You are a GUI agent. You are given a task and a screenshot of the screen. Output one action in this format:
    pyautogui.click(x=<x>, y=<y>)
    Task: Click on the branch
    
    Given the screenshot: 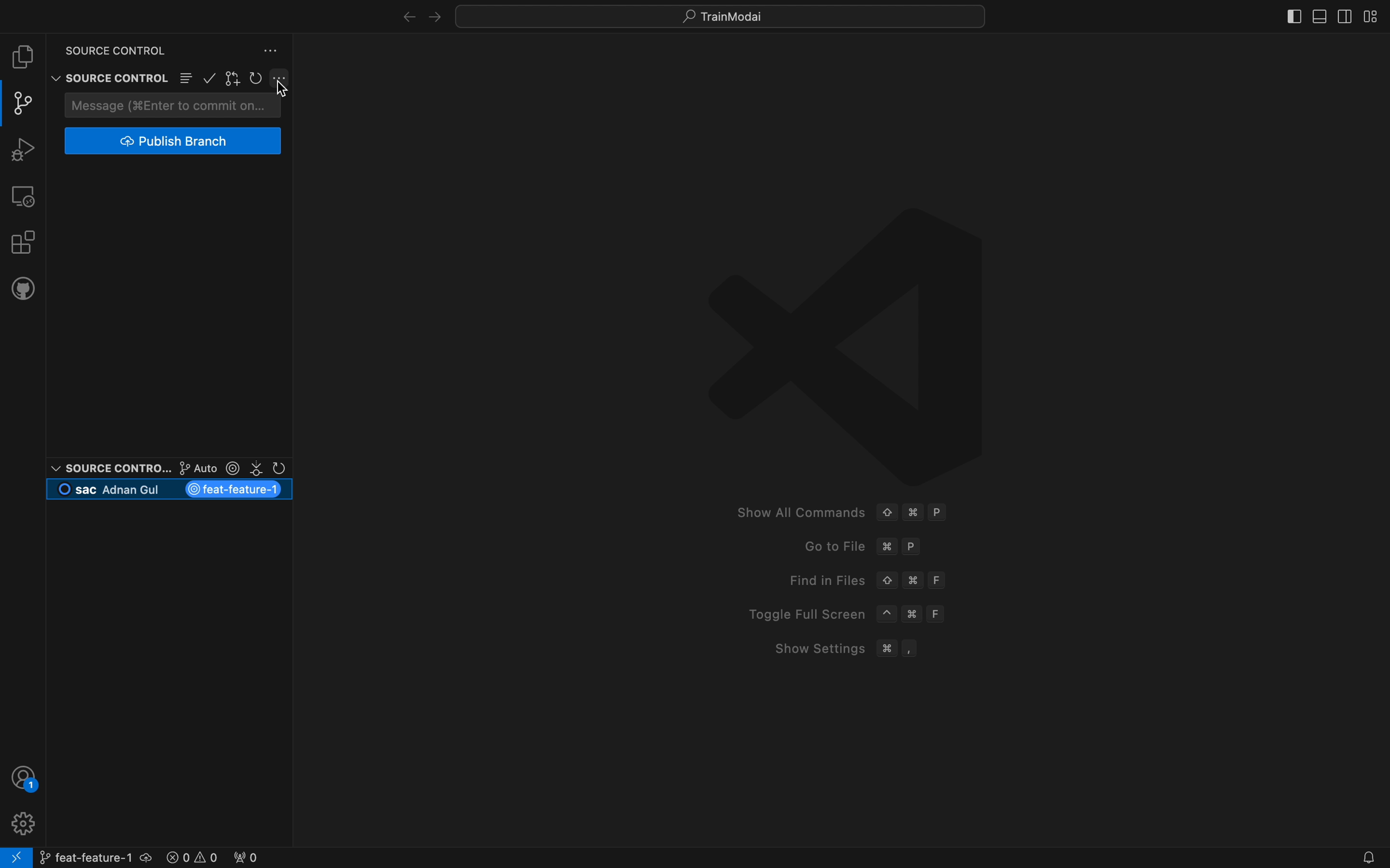 What is the action you would take?
    pyautogui.click(x=94, y=855)
    